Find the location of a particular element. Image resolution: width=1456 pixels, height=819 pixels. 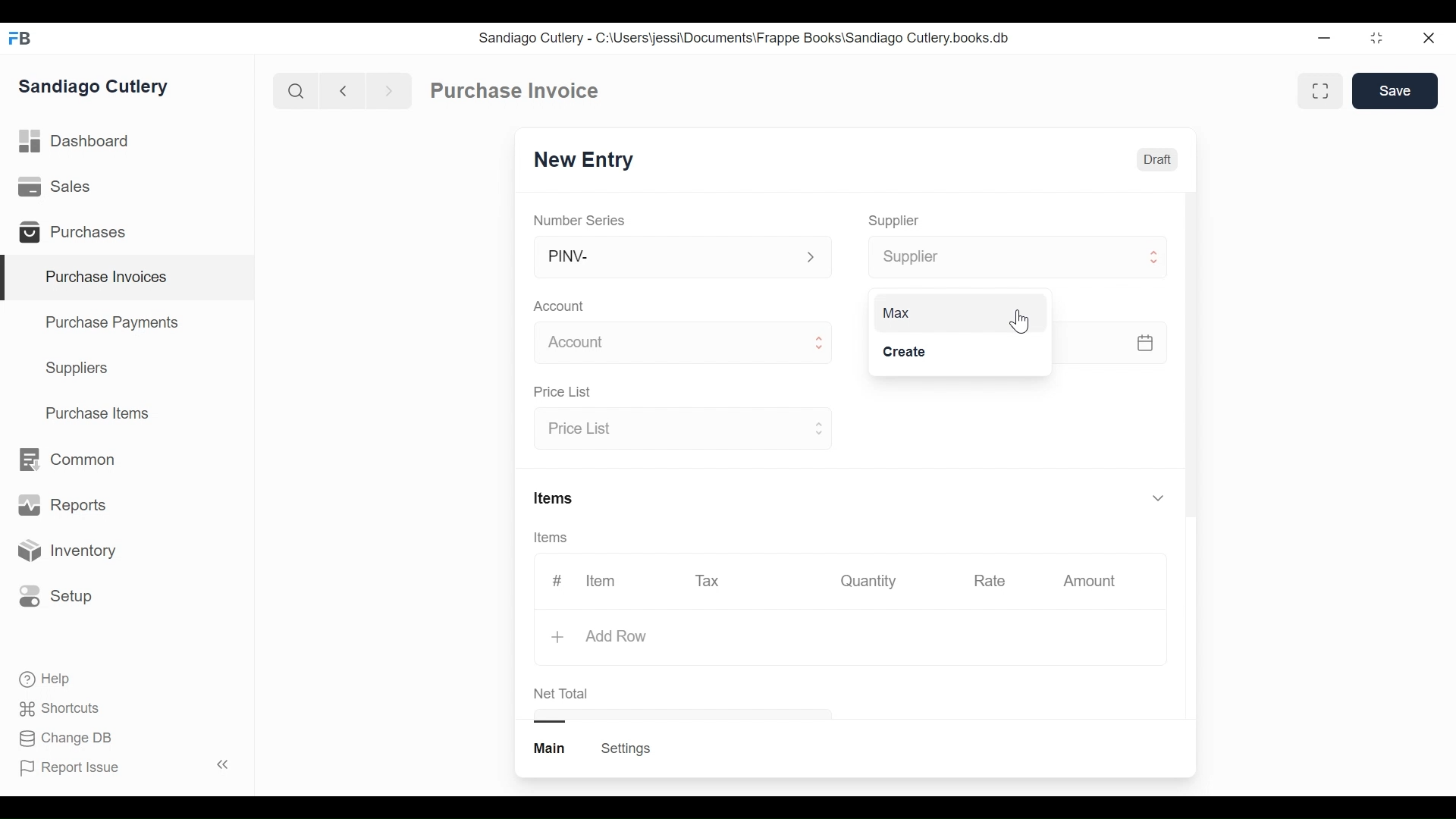

Supplier is located at coordinates (997, 257).